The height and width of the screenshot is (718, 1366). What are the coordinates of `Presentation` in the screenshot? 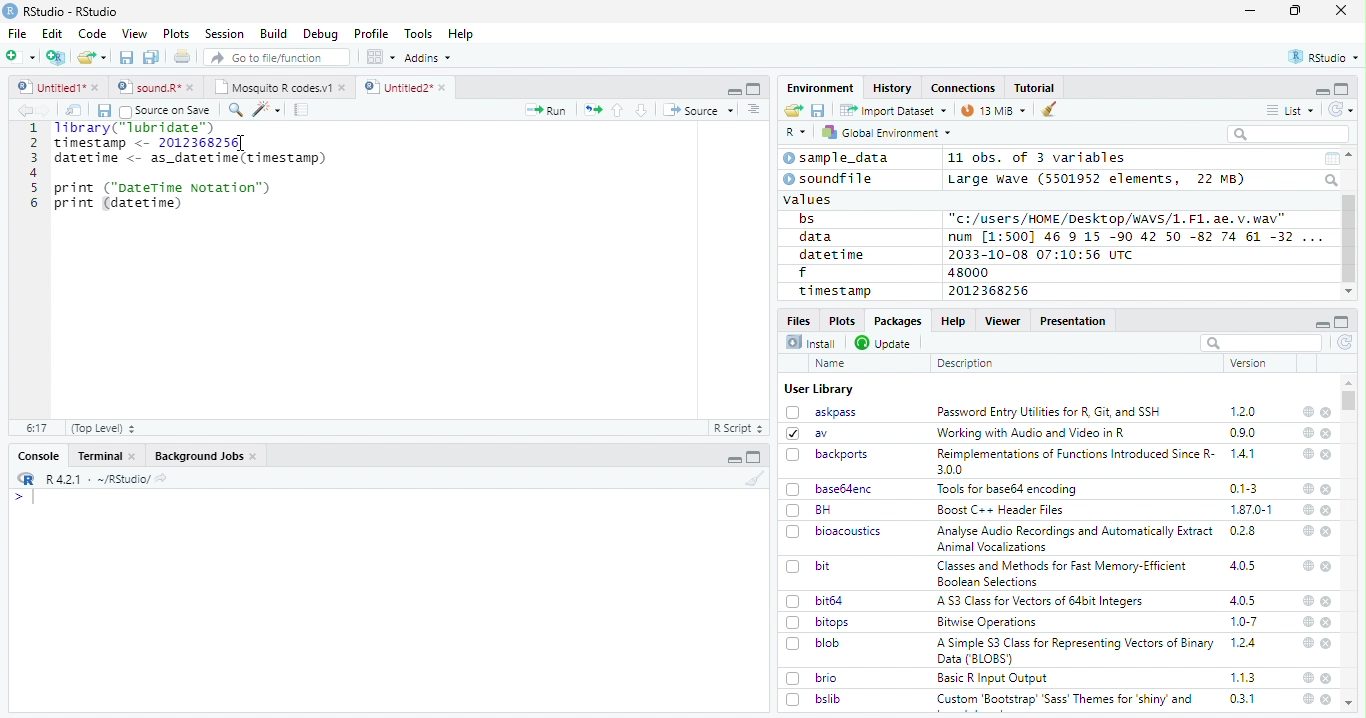 It's located at (1074, 321).